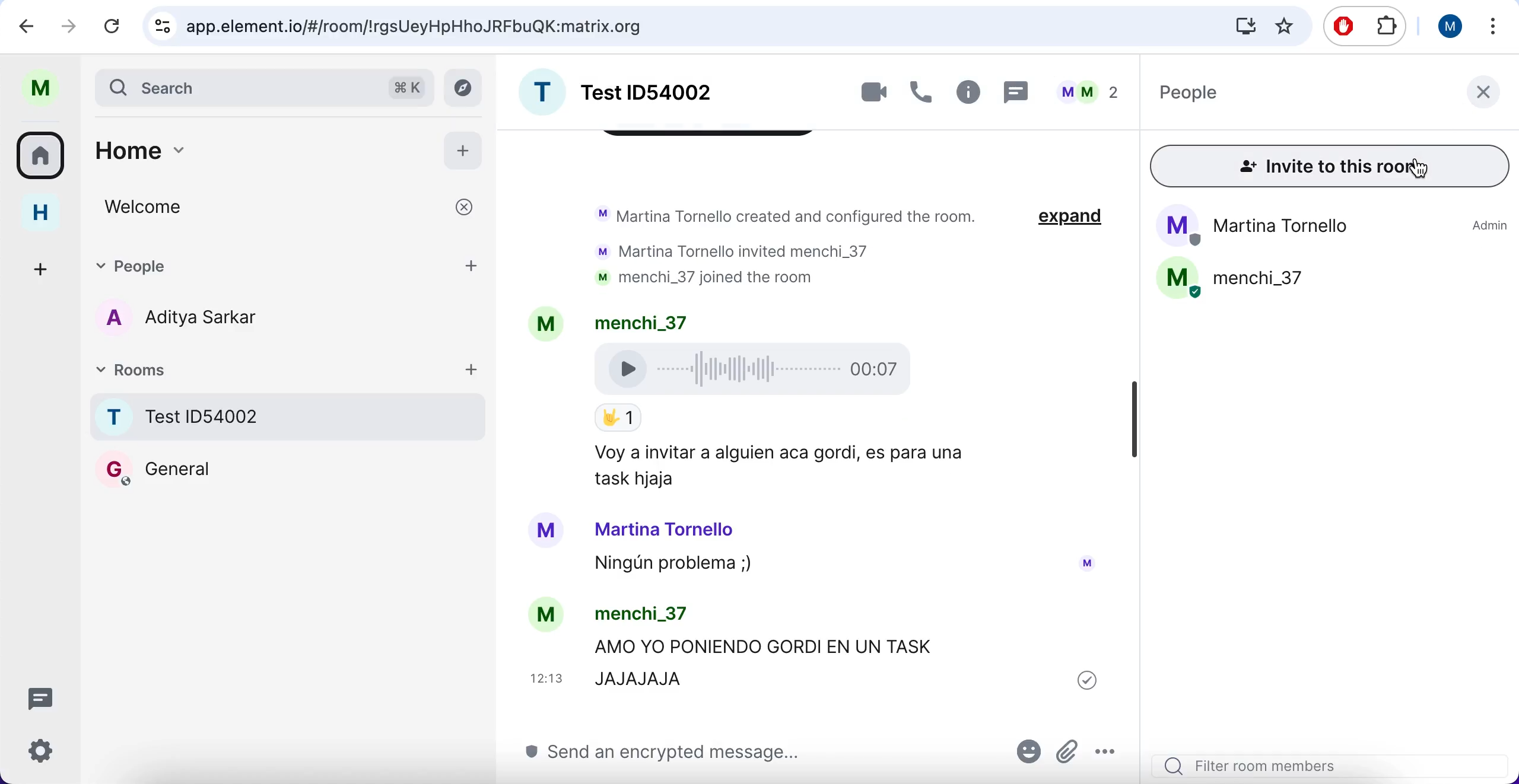 Image resolution: width=1519 pixels, height=784 pixels. Describe the element at coordinates (46, 88) in the screenshot. I see `user` at that location.